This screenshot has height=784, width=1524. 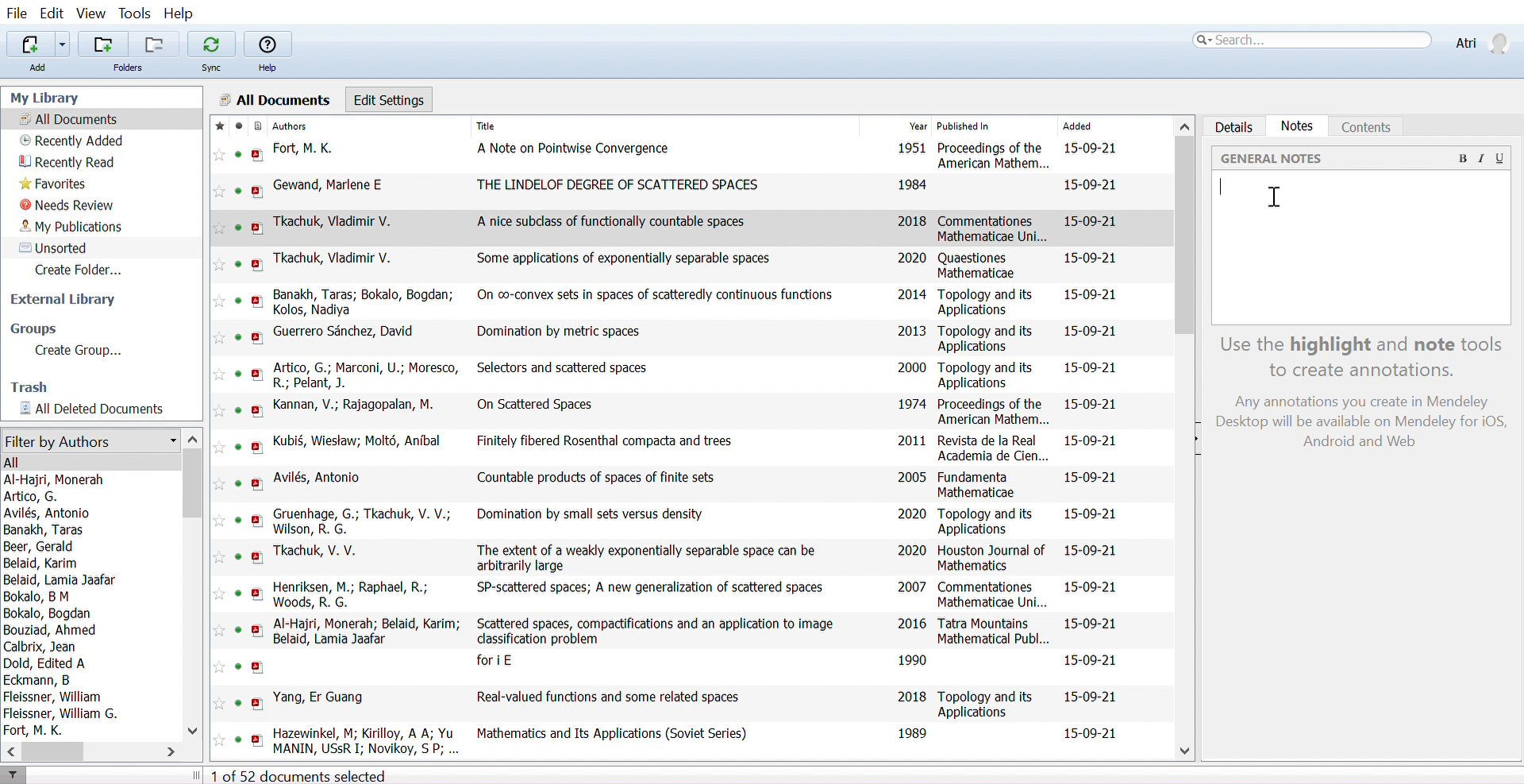 What do you see at coordinates (17, 14) in the screenshot?
I see `File` at bounding box center [17, 14].